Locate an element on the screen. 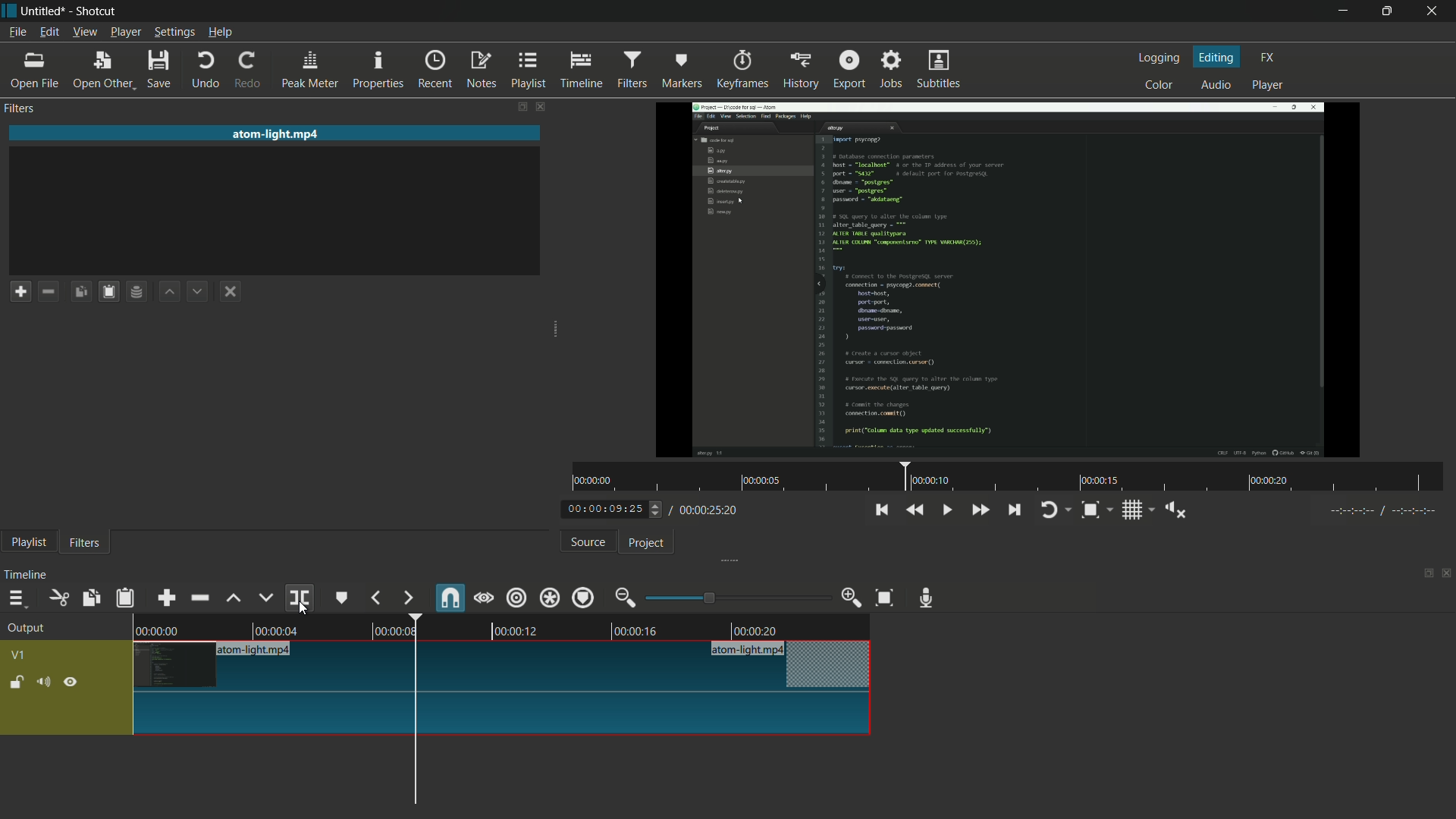 The height and width of the screenshot is (819, 1456). change layout is located at coordinates (1423, 572).